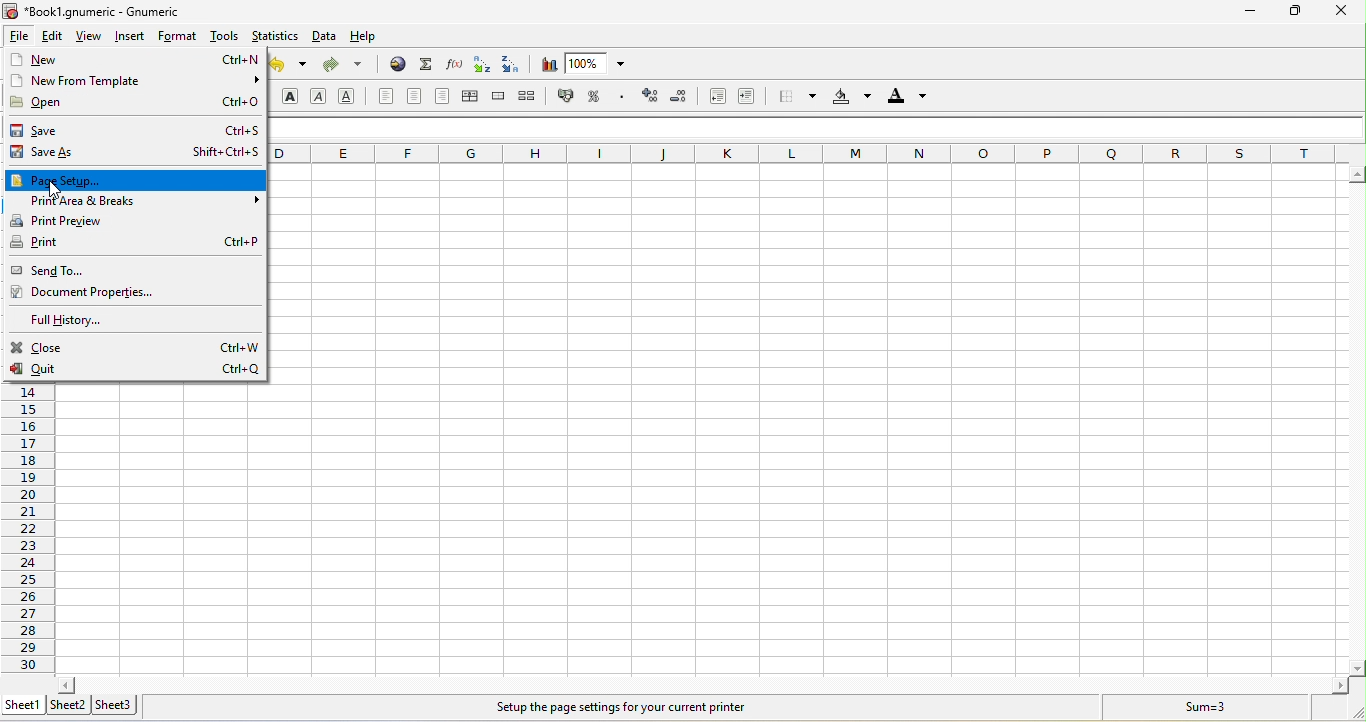 The height and width of the screenshot is (722, 1366). What do you see at coordinates (134, 103) in the screenshot?
I see `open` at bounding box center [134, 103].